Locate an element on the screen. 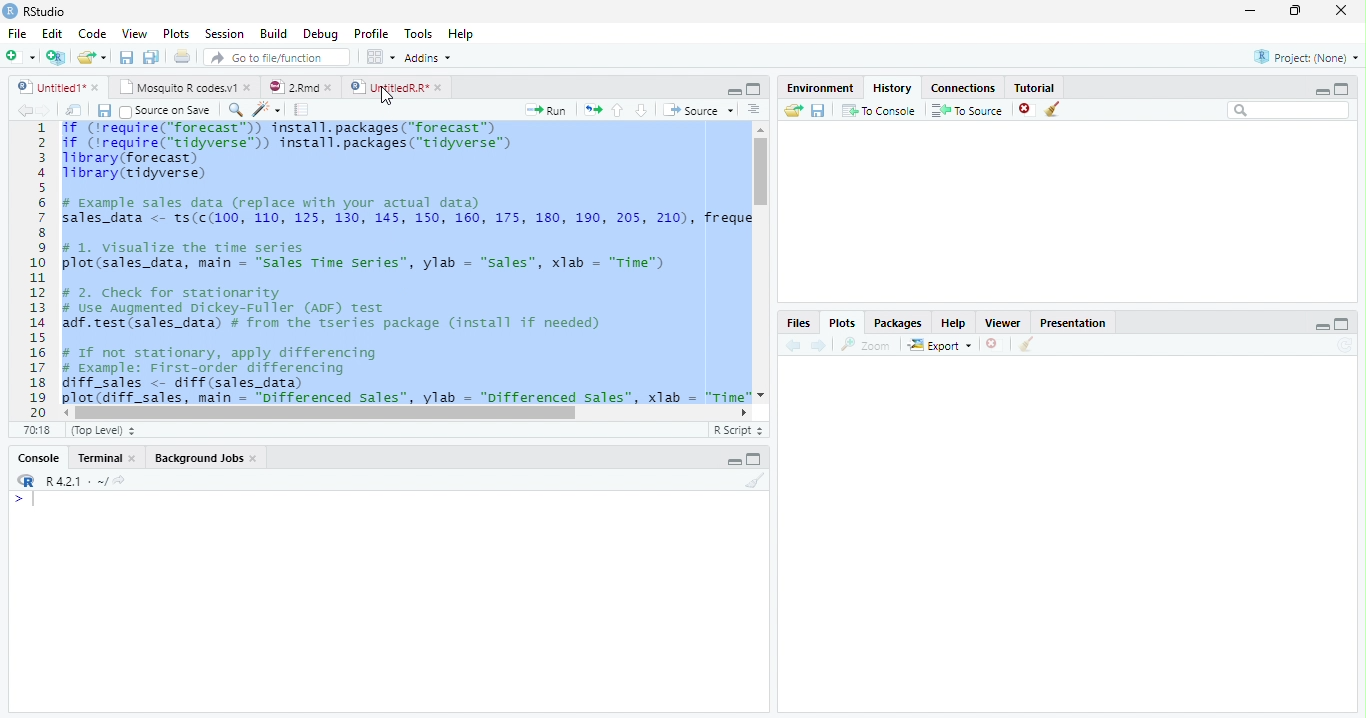  2.RMD is located at coordinates (300, 87).